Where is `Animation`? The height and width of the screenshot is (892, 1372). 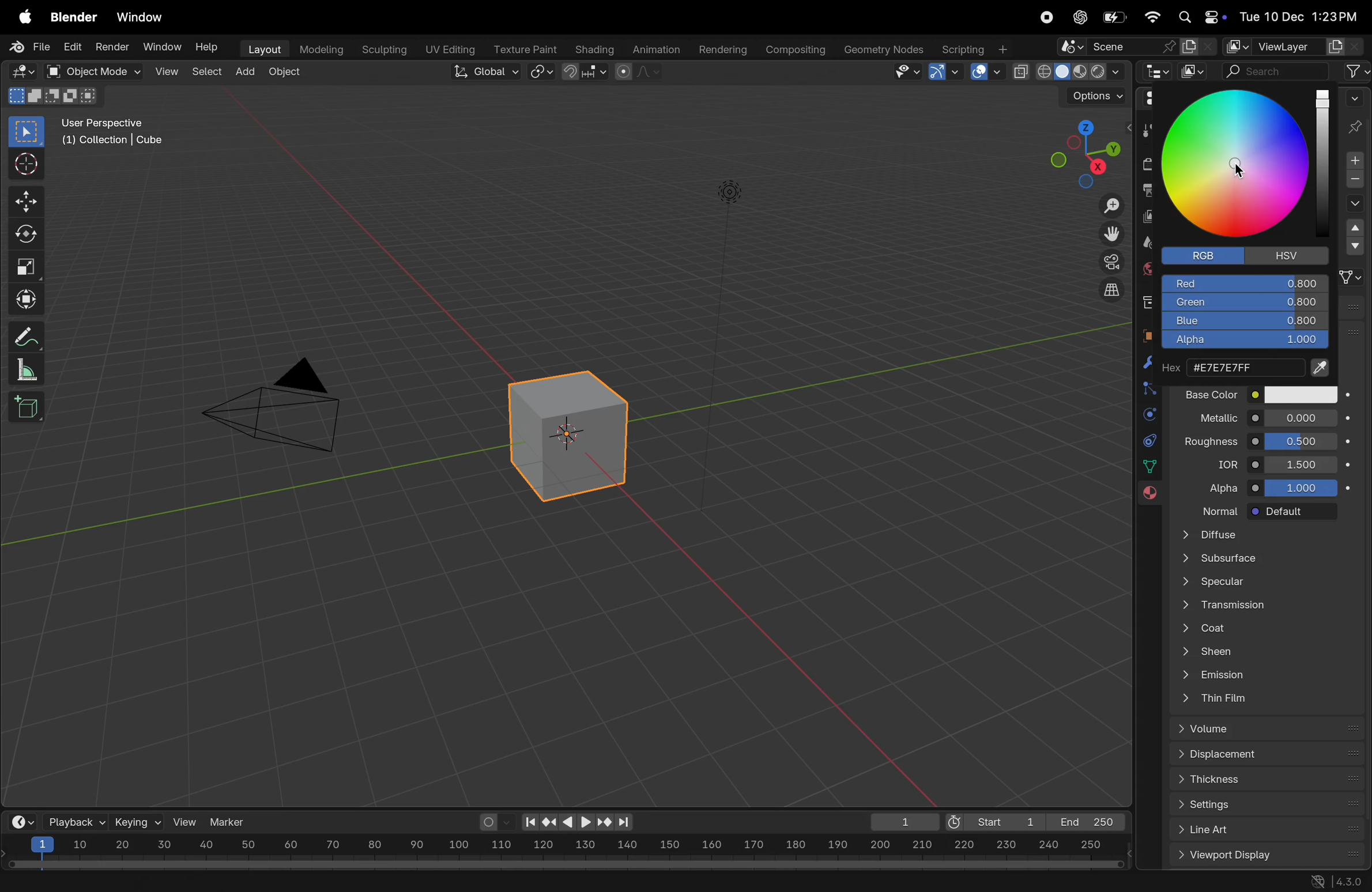 Animation is located at coordinates (658, 48).